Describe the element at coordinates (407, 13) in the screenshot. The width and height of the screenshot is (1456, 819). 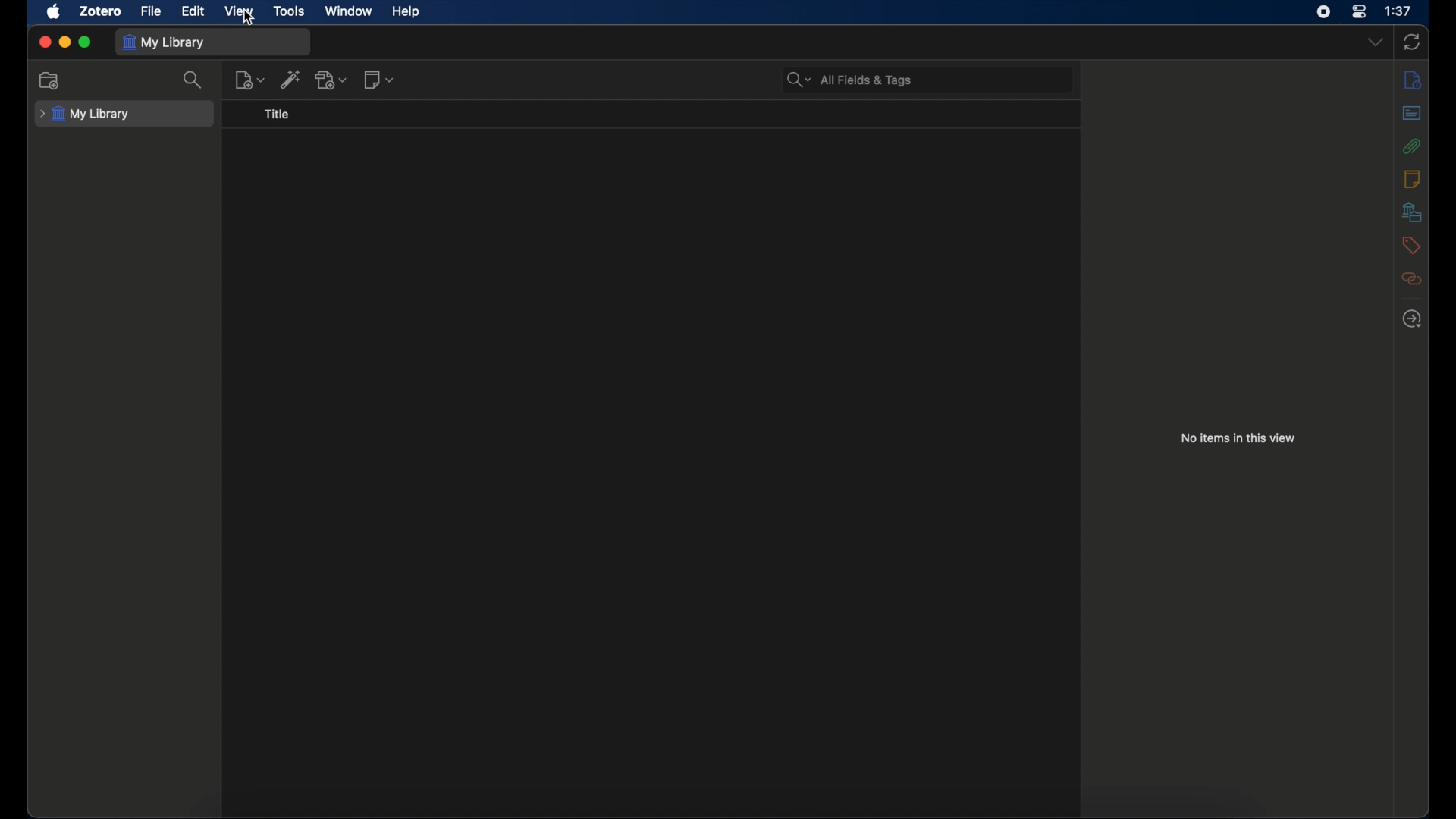
I see `help` at that location.